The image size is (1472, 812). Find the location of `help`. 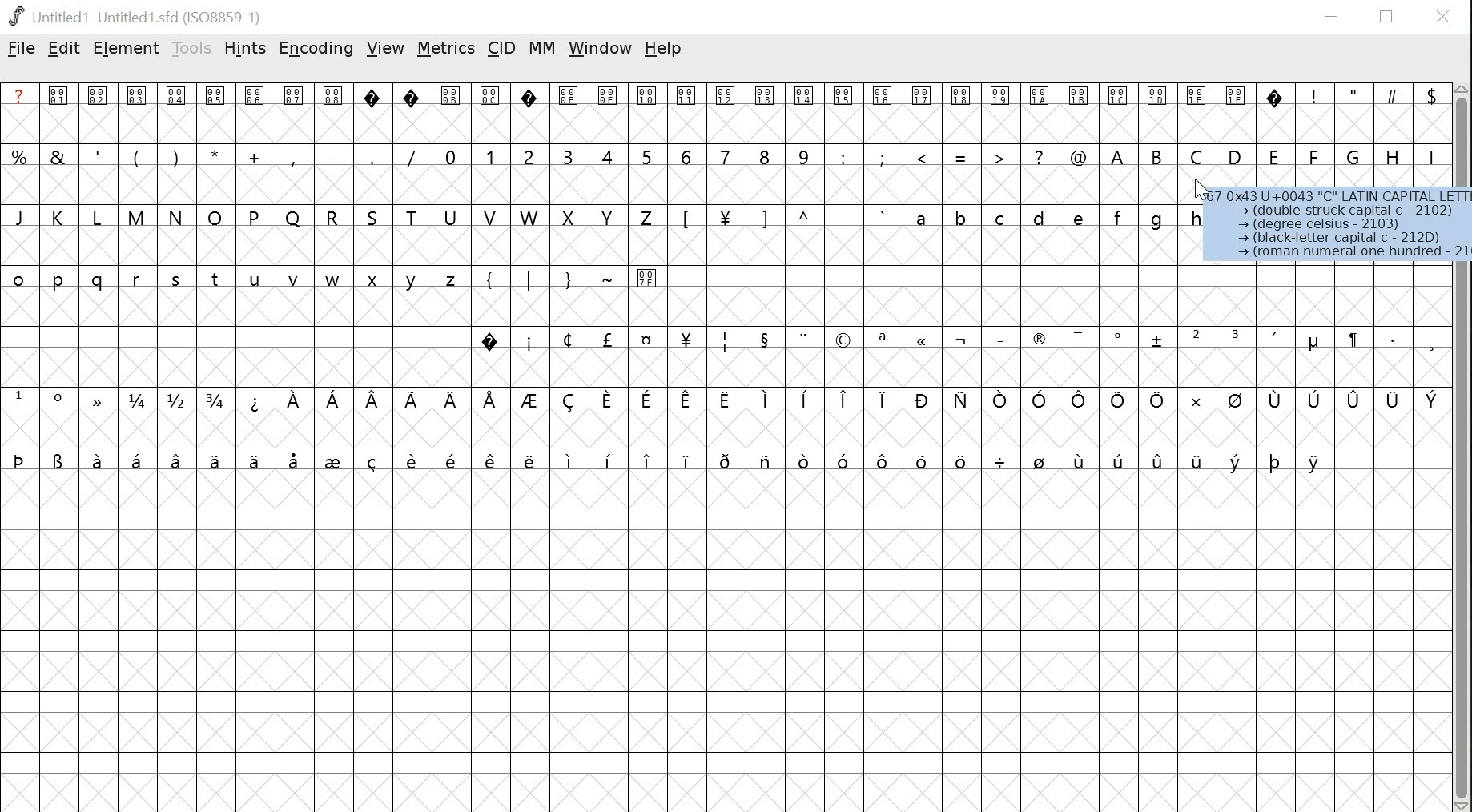

help is located at coordinates (664, 50).